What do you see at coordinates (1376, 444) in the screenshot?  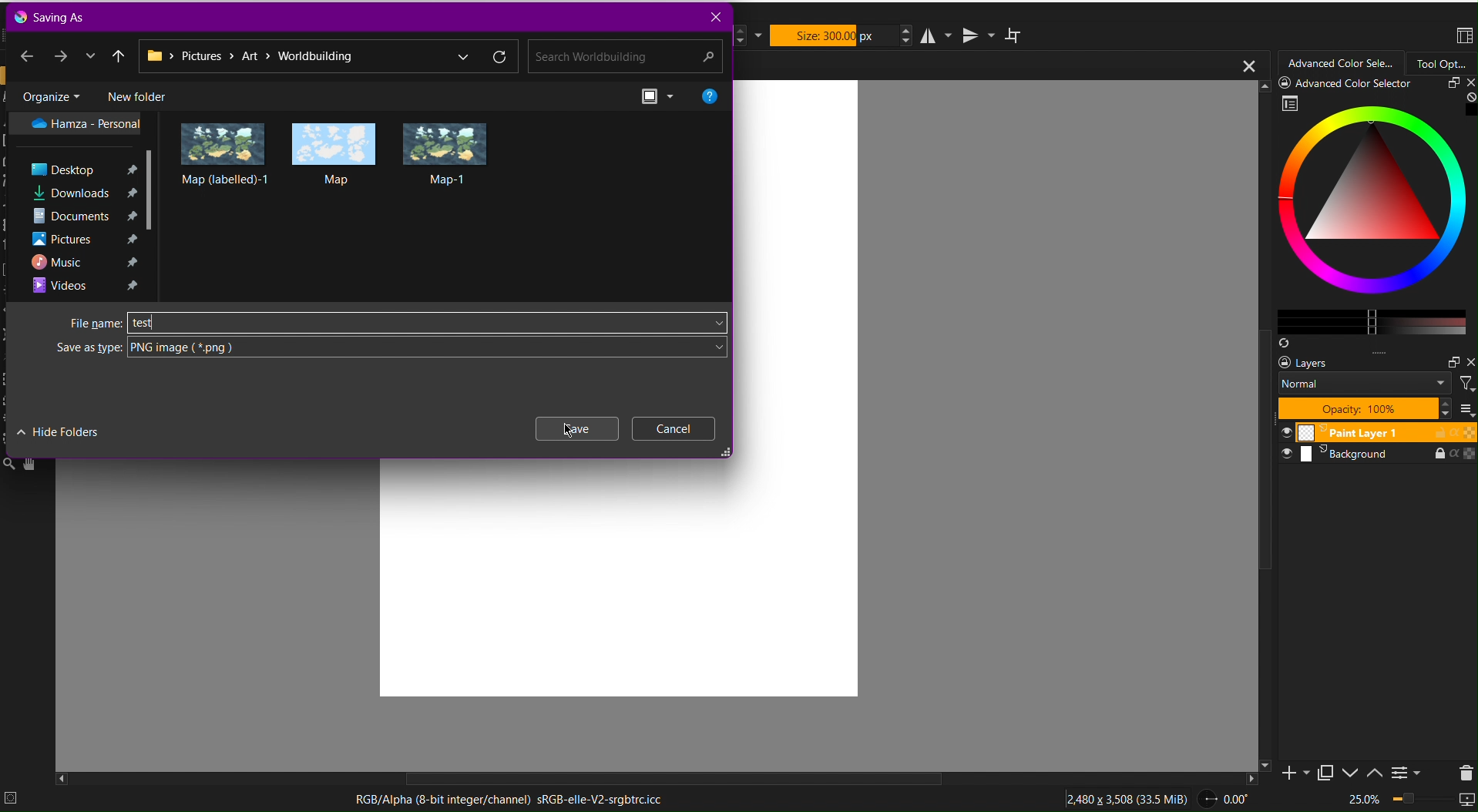 I see `Slides` at bounding box center [1376, 444].